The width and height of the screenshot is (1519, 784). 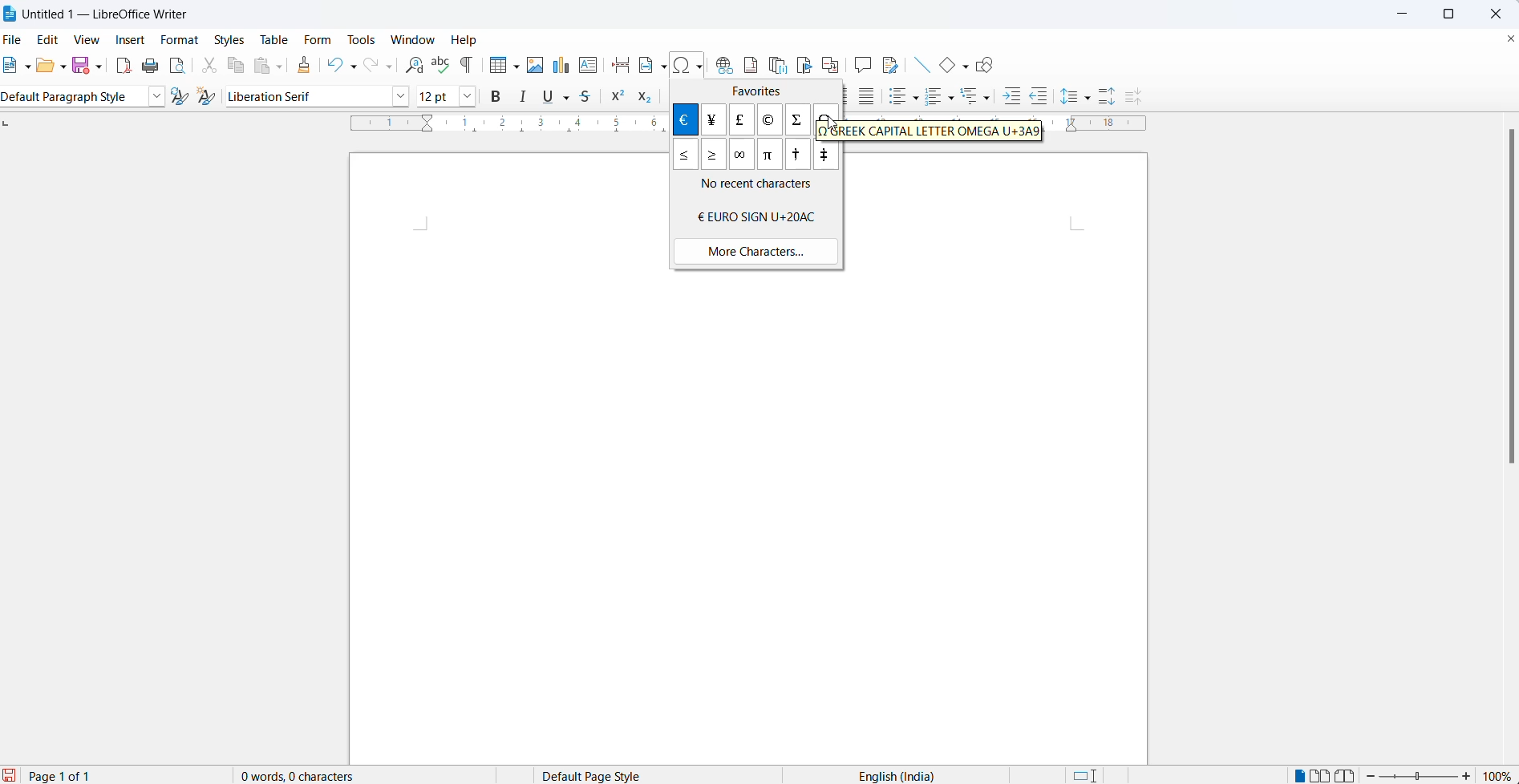 I want to click on insert hyperlink, so click(x=720, y=60).